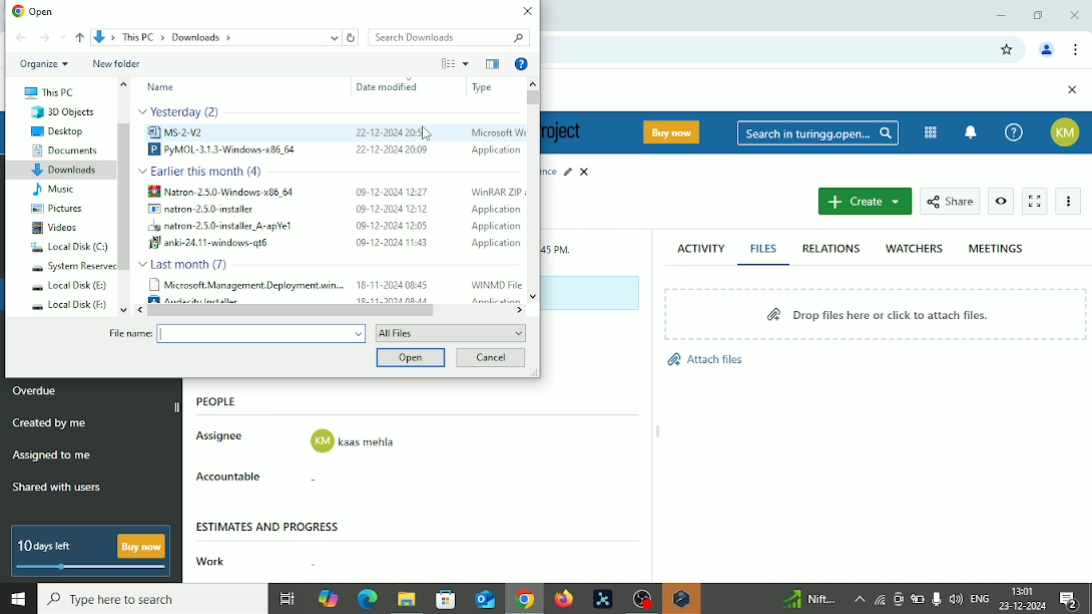 The image size is (1092, 614). I want to click on More, so click(1072, 202).